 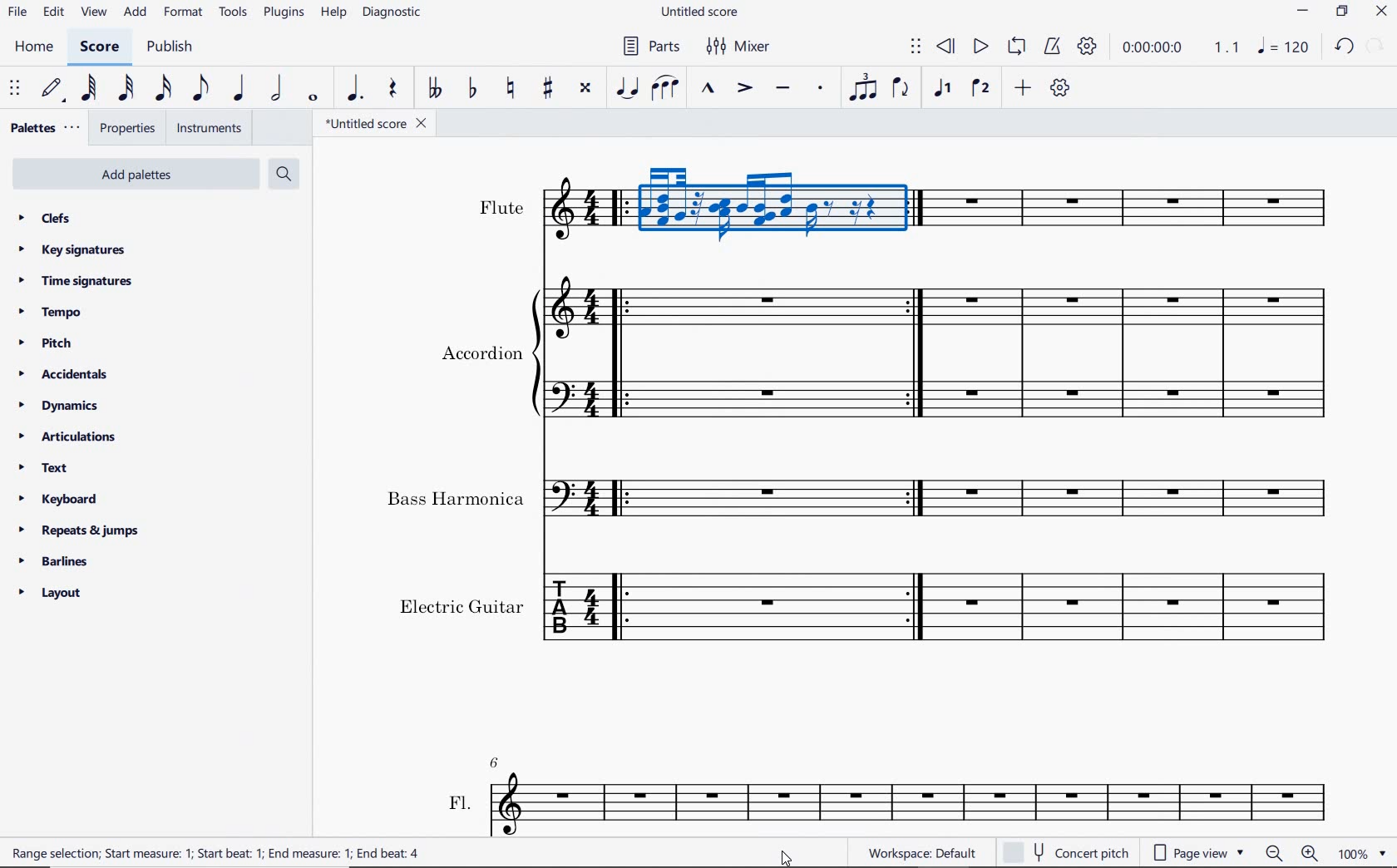 What do you see at coordinates (741, 89) in the screenshot?
I see `accent` at bounding box center [741, 89].